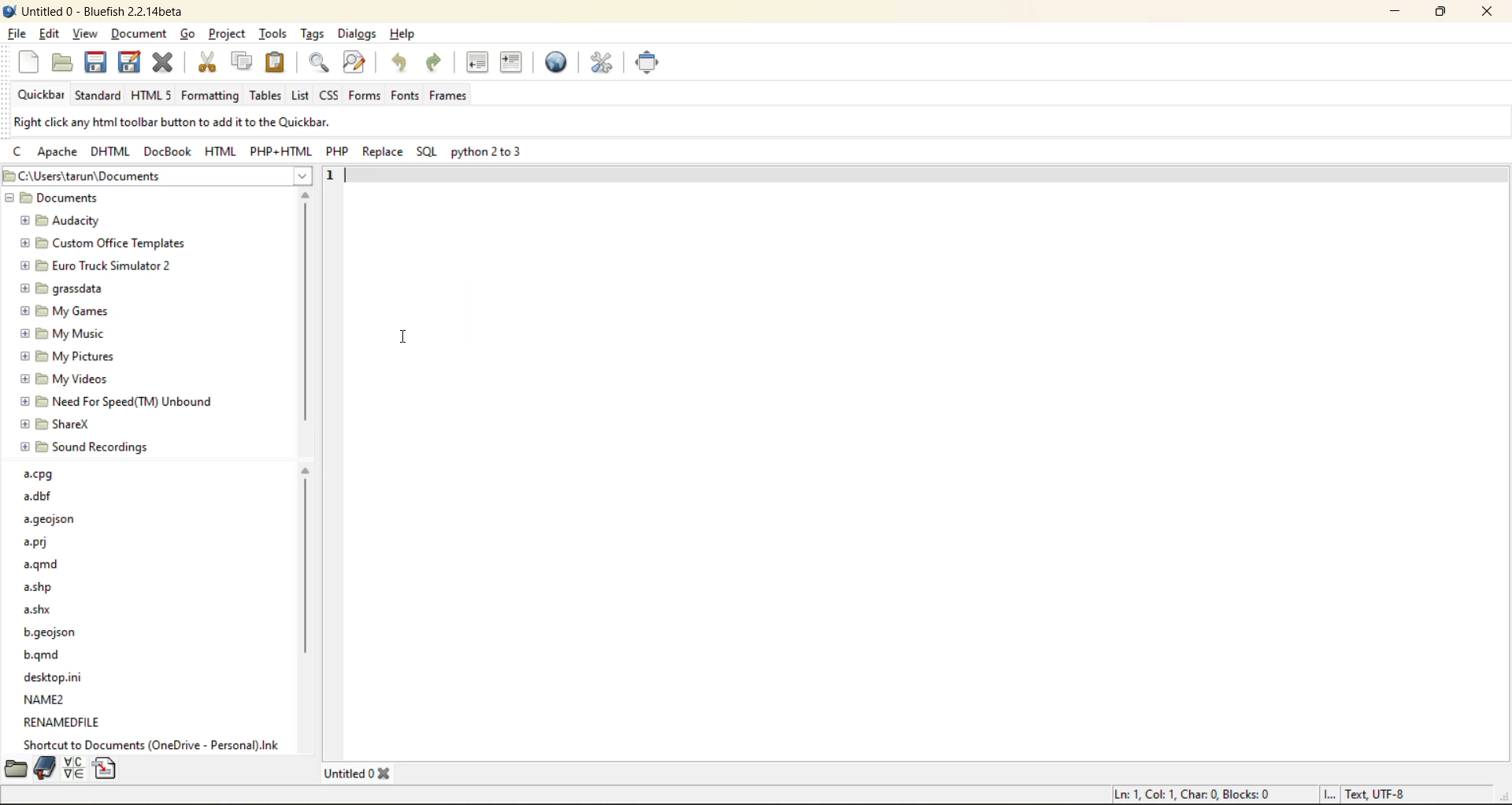 The height and width of the screenshot is (805, 1512). I want to click on cut, so click(205, 62).